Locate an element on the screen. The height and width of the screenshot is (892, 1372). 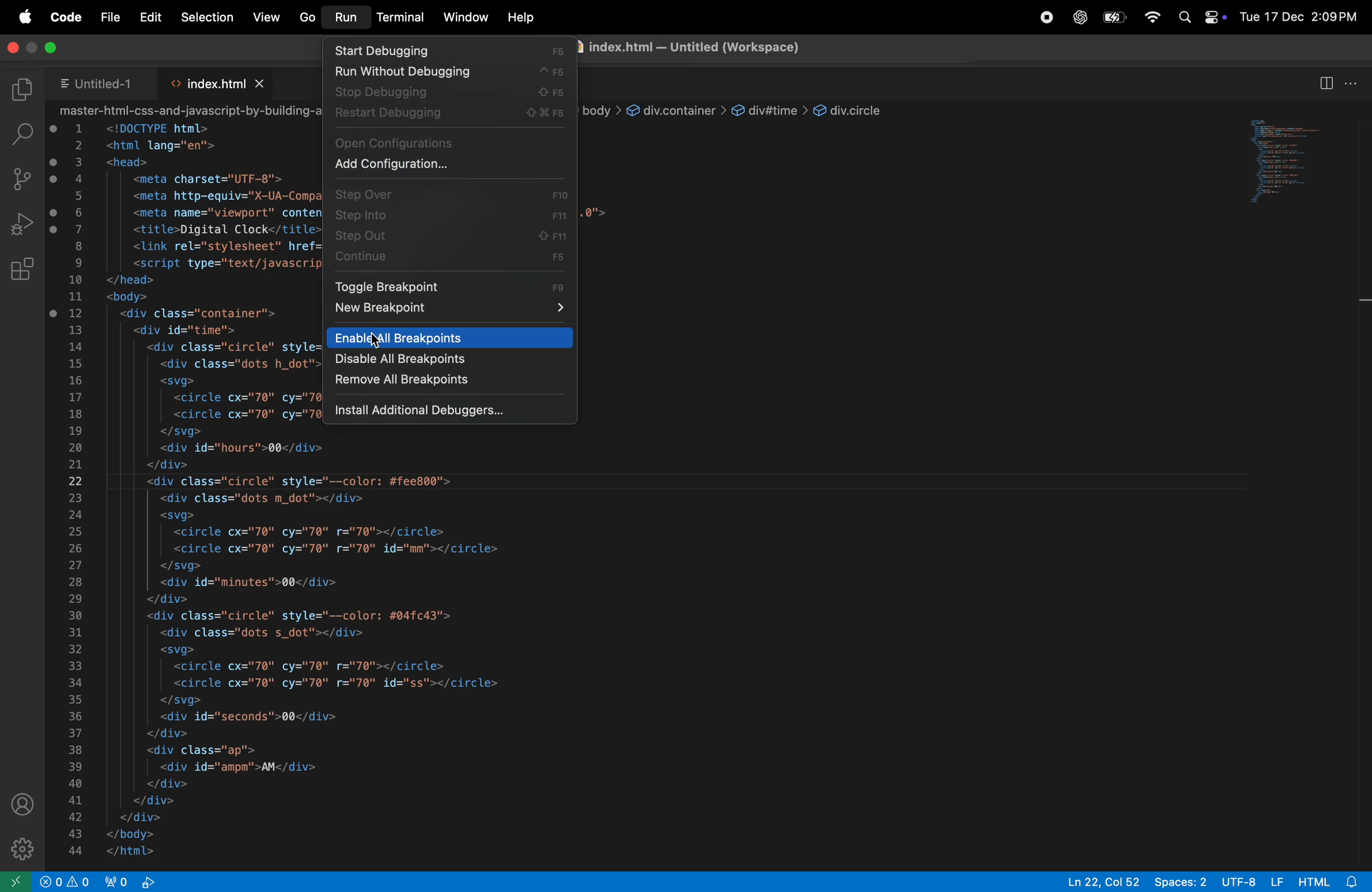
Add configuration is located at coordinates (447, 167).